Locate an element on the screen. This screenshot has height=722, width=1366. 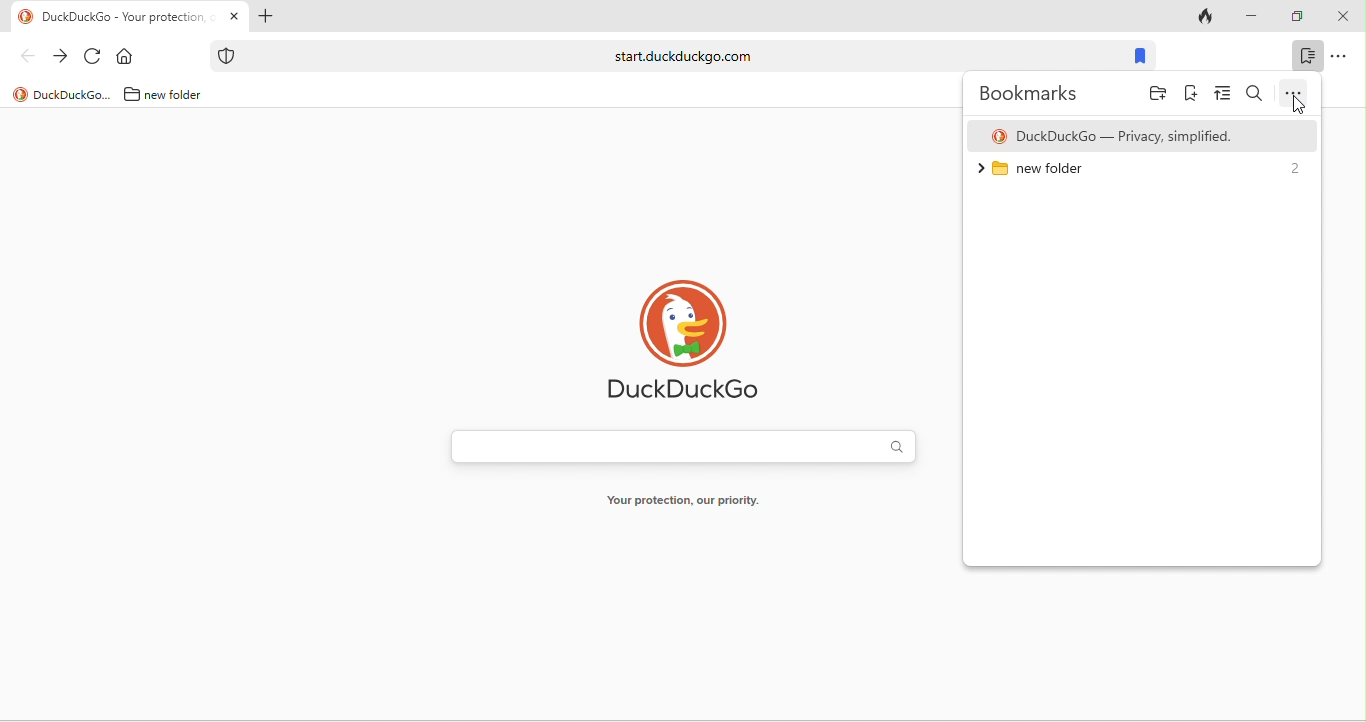
2 is located at coordinates (1293, 167).